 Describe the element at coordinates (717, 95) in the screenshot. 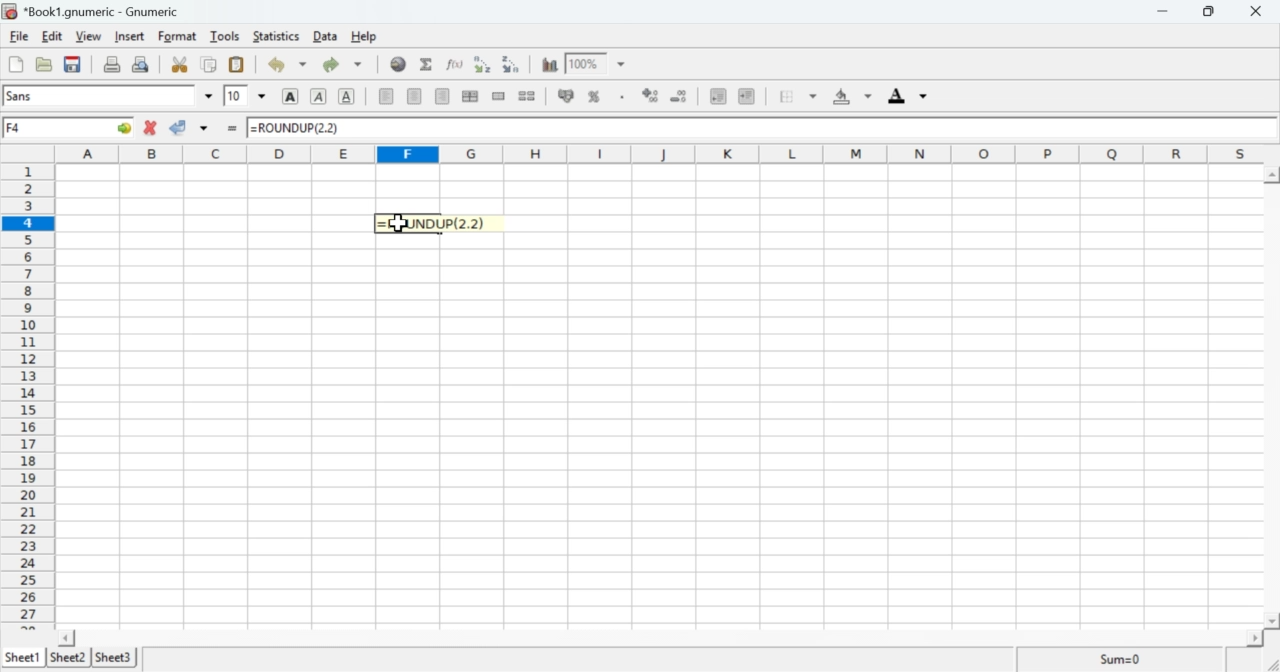

I see `Decrease indent` at that location.